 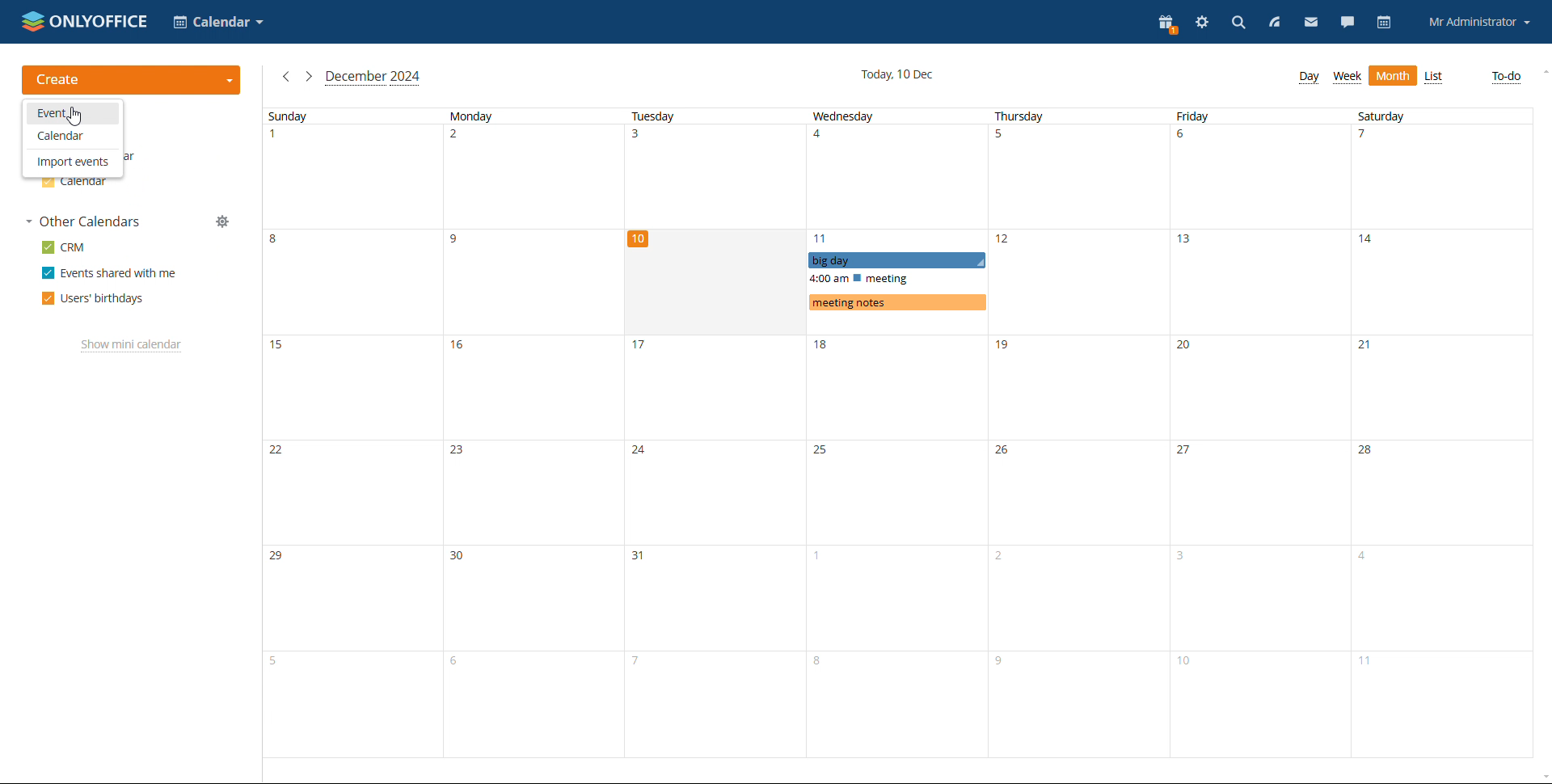 I want to click on talk, so click(x=1346, y=23).